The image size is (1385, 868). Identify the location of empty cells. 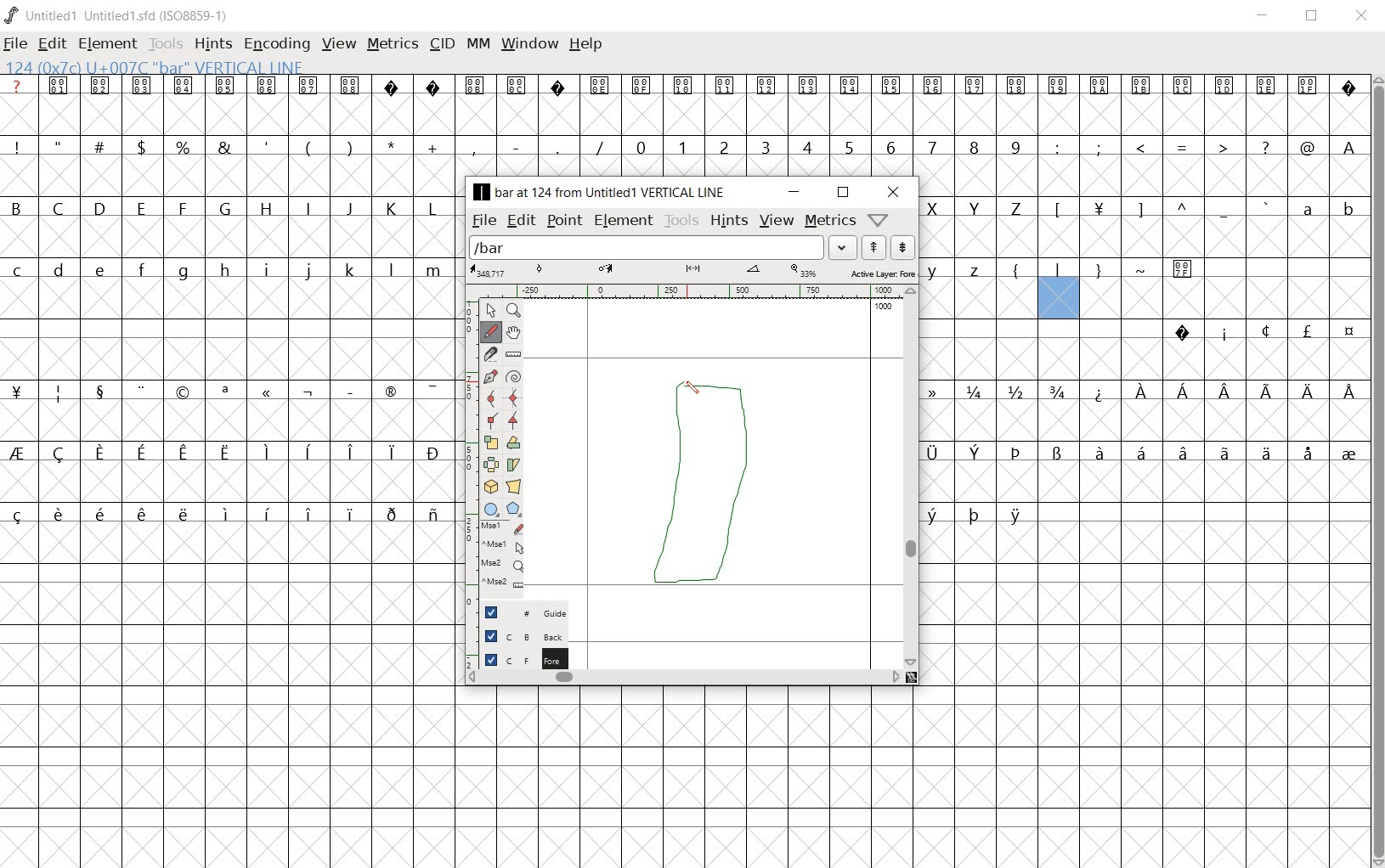
(230, 696).